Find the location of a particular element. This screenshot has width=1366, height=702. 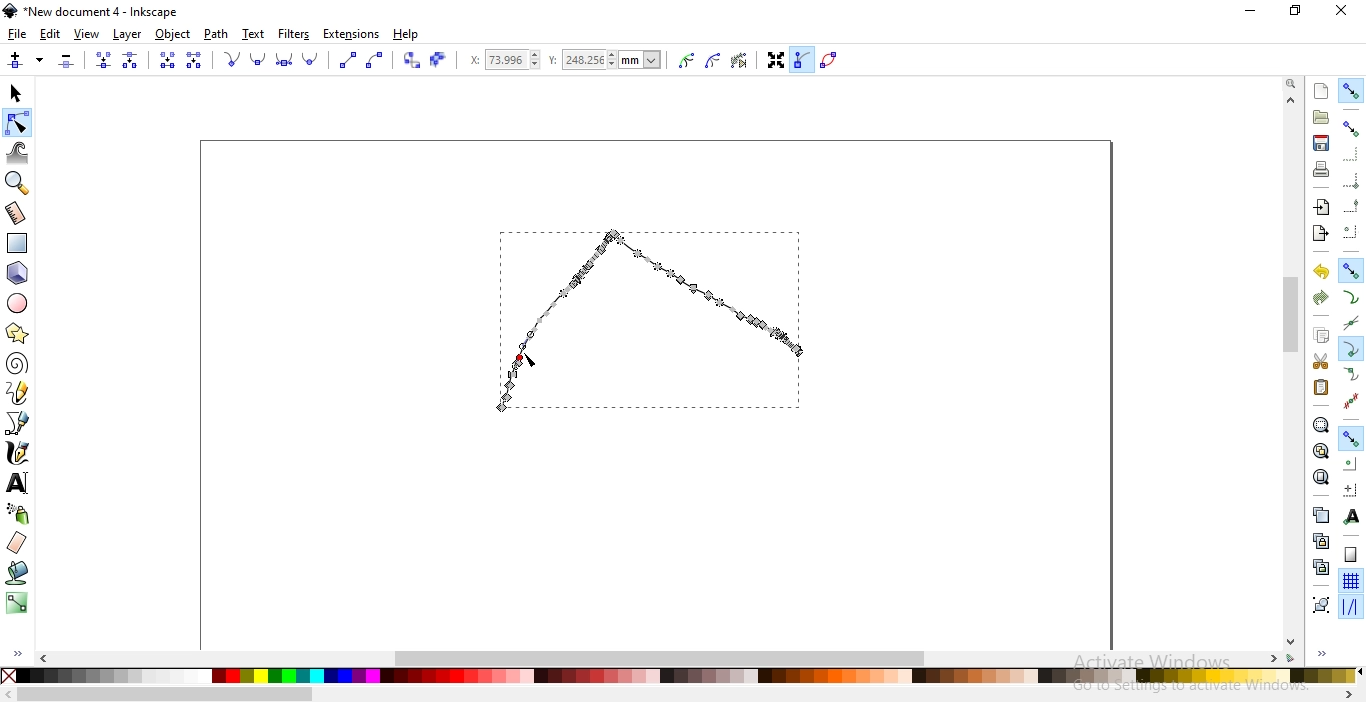

snap to edges of bounding boxes is located at coordinates (1349, 155).